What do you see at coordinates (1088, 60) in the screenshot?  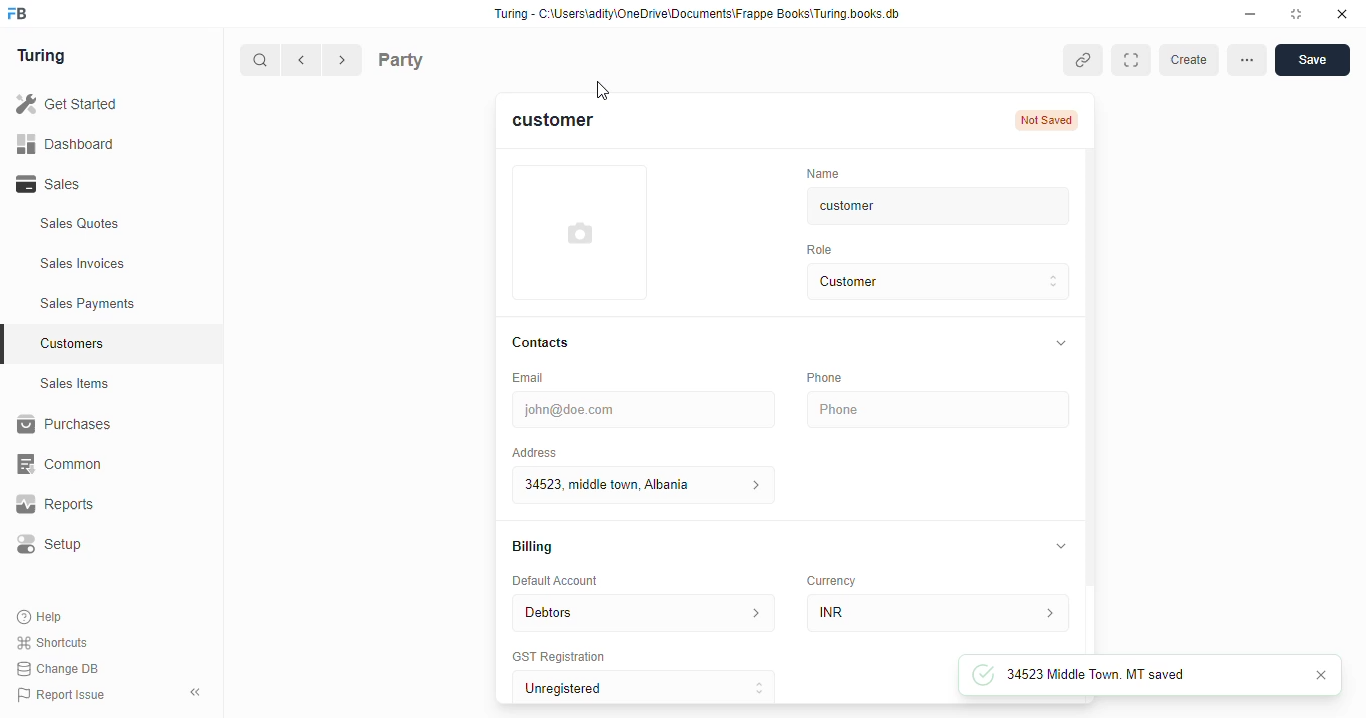 I see `copy link` at bounding box center [1088, 60].